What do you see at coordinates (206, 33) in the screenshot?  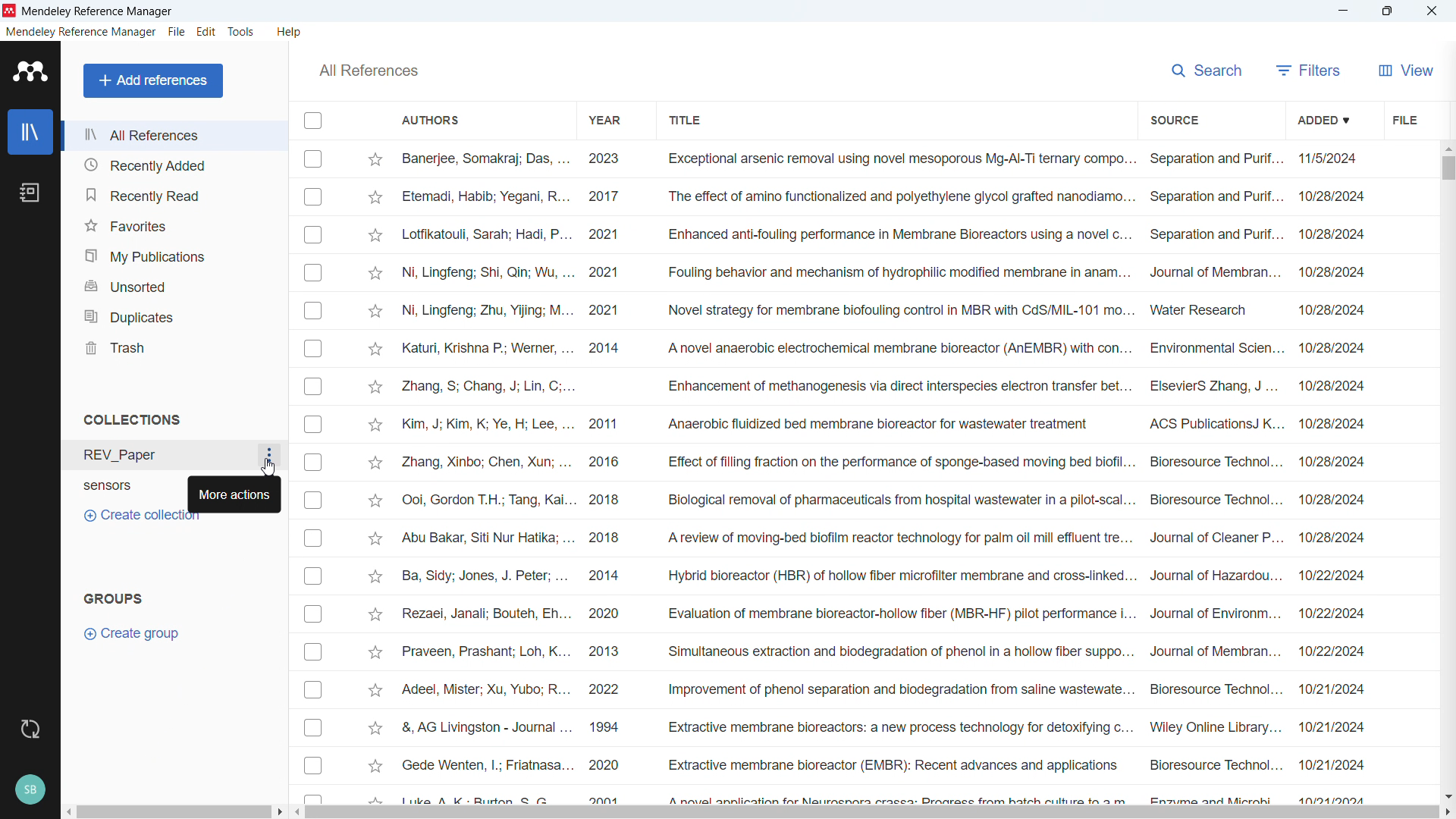 I see `edit` at bounding box center [206, 33].